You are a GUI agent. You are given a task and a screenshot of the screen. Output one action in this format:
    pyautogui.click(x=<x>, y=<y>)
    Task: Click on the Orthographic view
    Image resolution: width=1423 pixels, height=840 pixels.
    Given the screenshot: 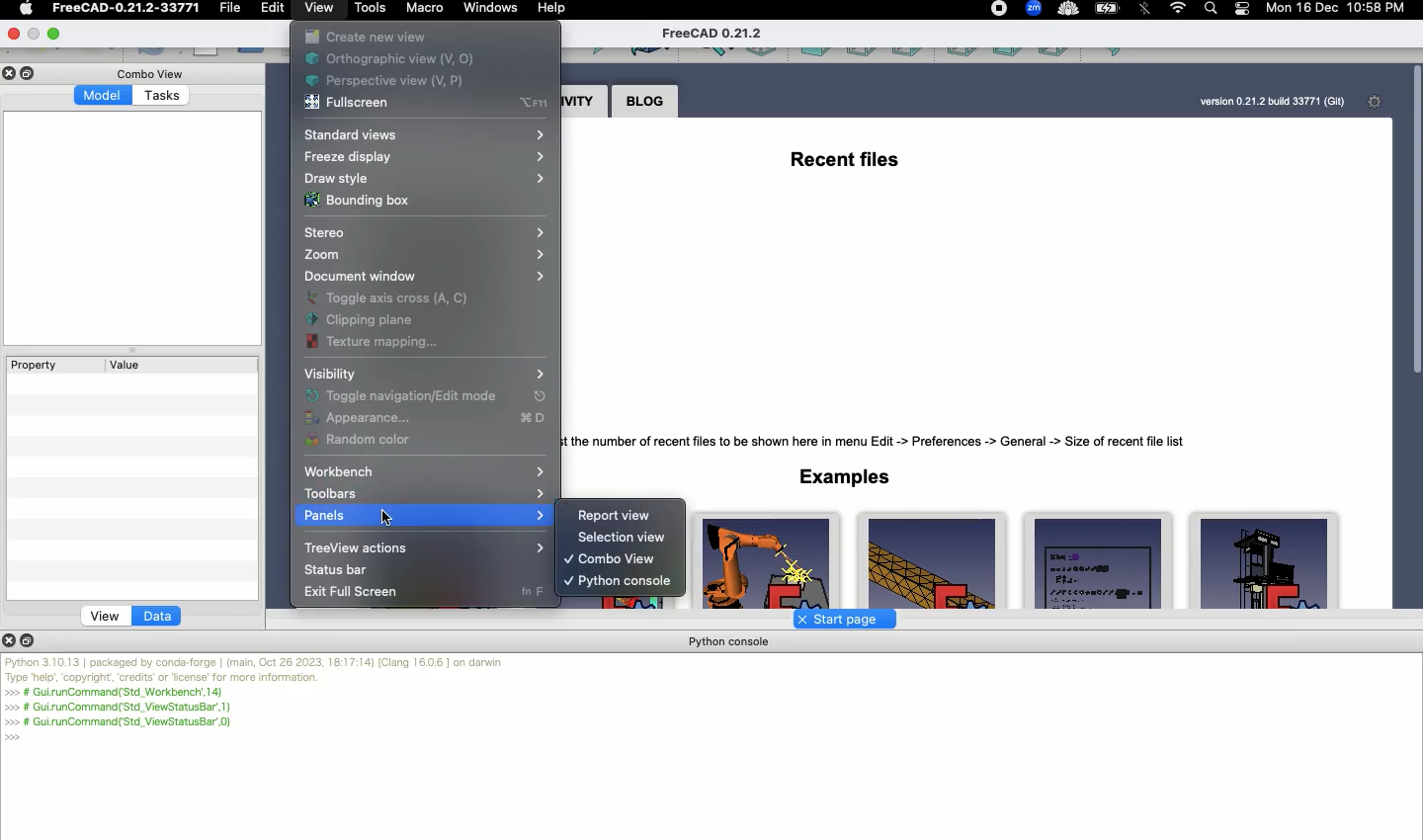 What is the action you would take?
    pyautogui.click(x=397, y=60)
    